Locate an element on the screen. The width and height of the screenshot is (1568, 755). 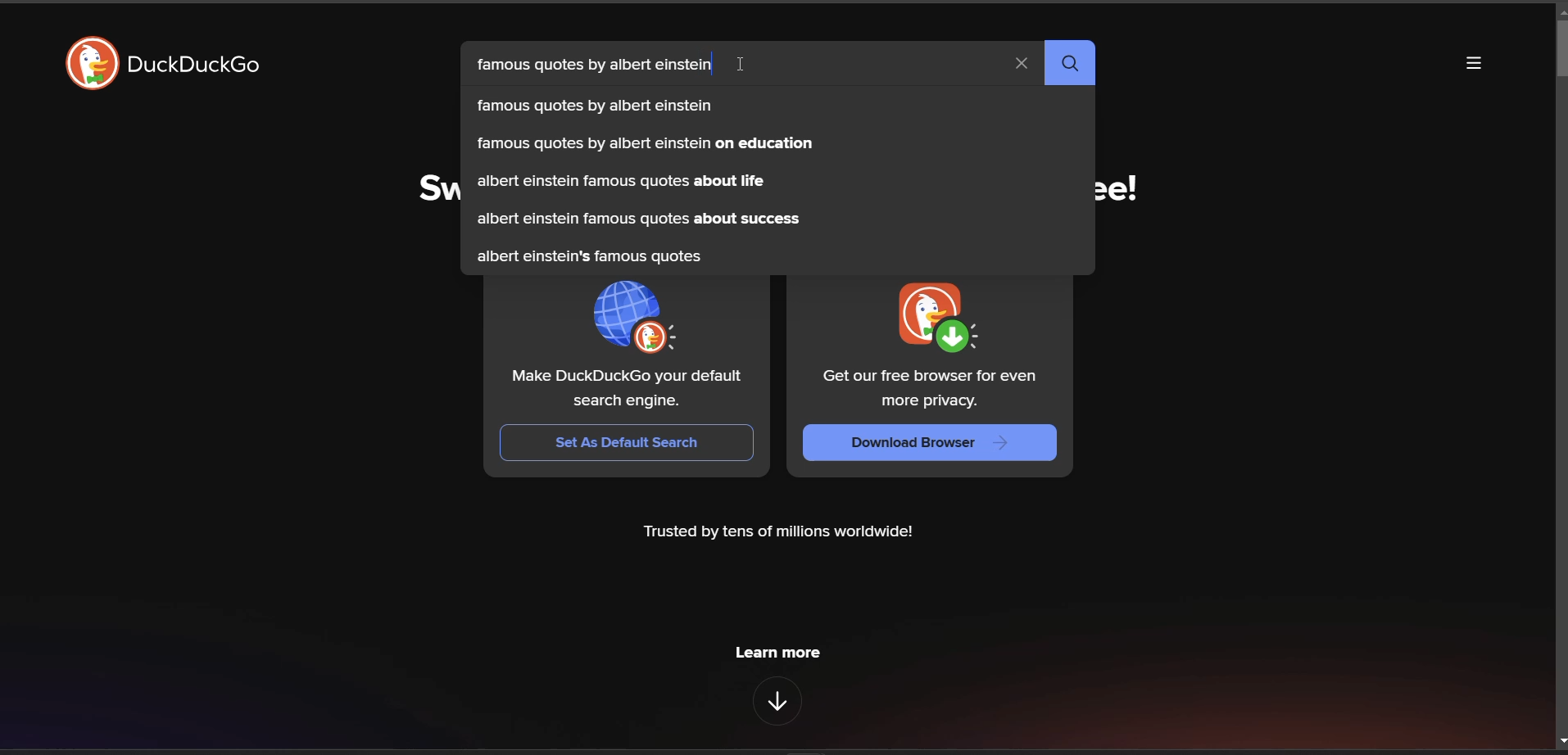
logo is located at coordinates (933, 318).